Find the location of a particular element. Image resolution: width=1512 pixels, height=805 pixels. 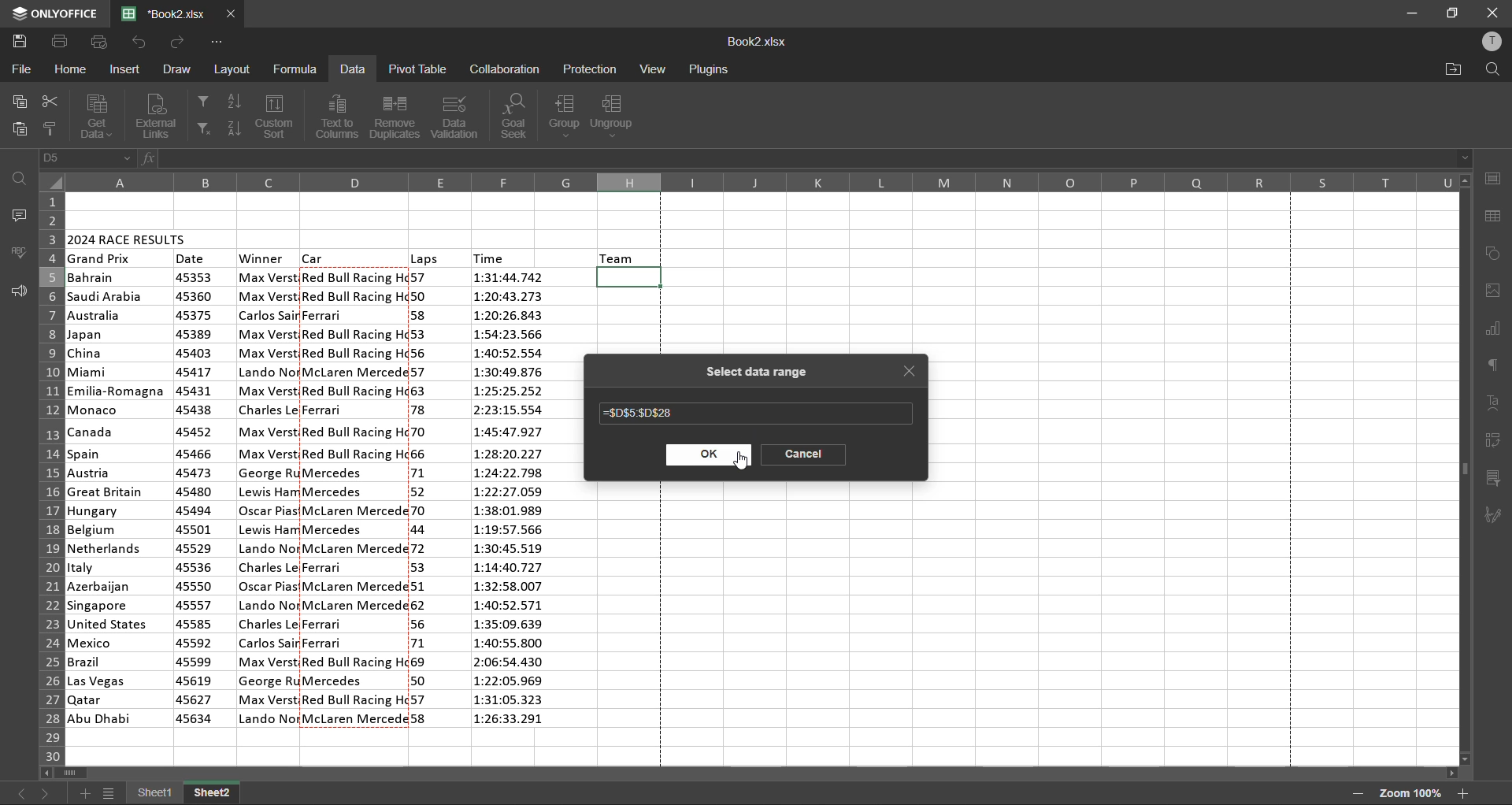

charts is located at coordinates (1493, 331).